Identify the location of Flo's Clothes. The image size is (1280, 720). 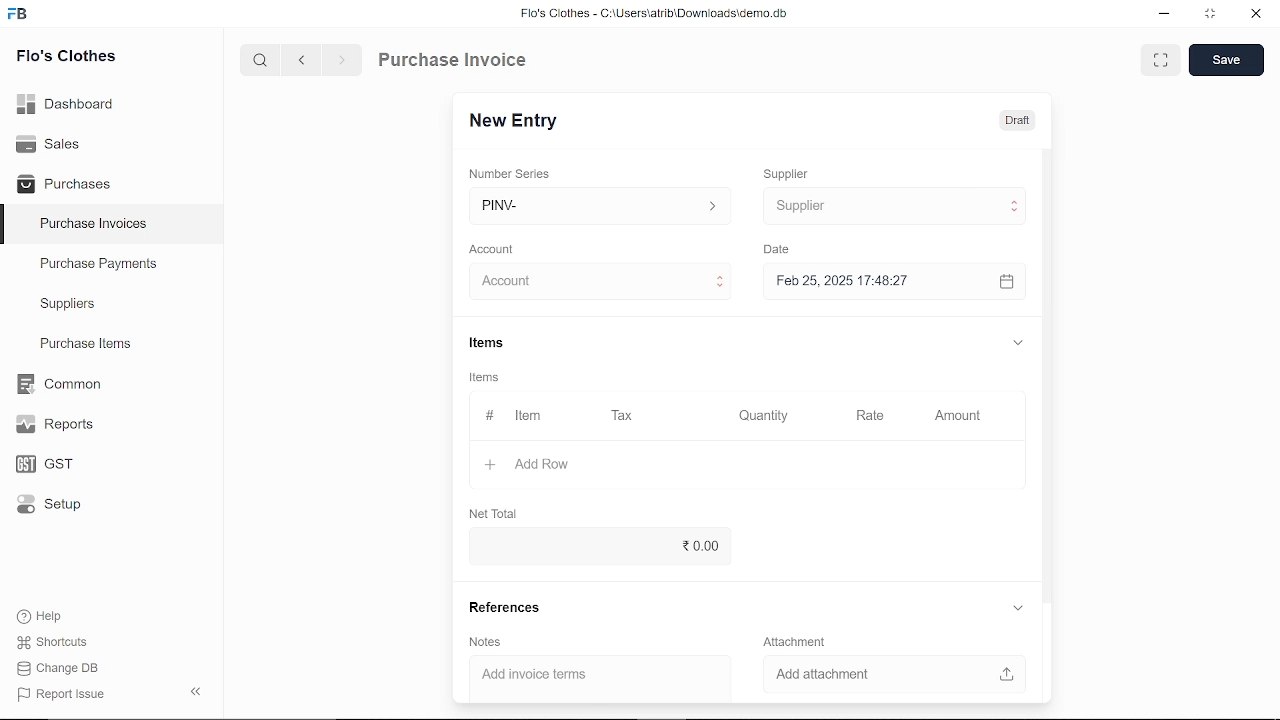
(66, 57).